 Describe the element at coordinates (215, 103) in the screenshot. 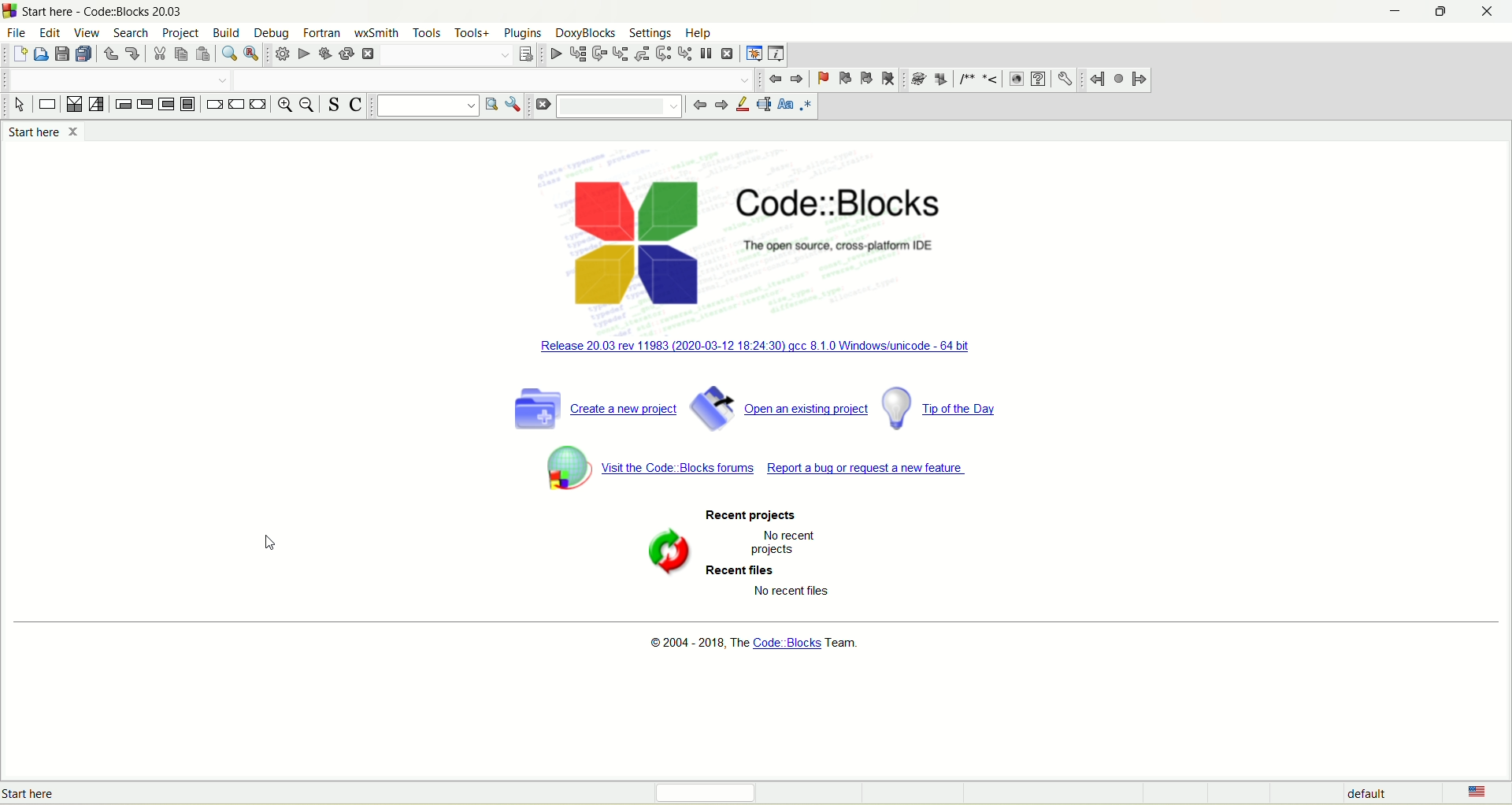

I see `break instruction` at that location.